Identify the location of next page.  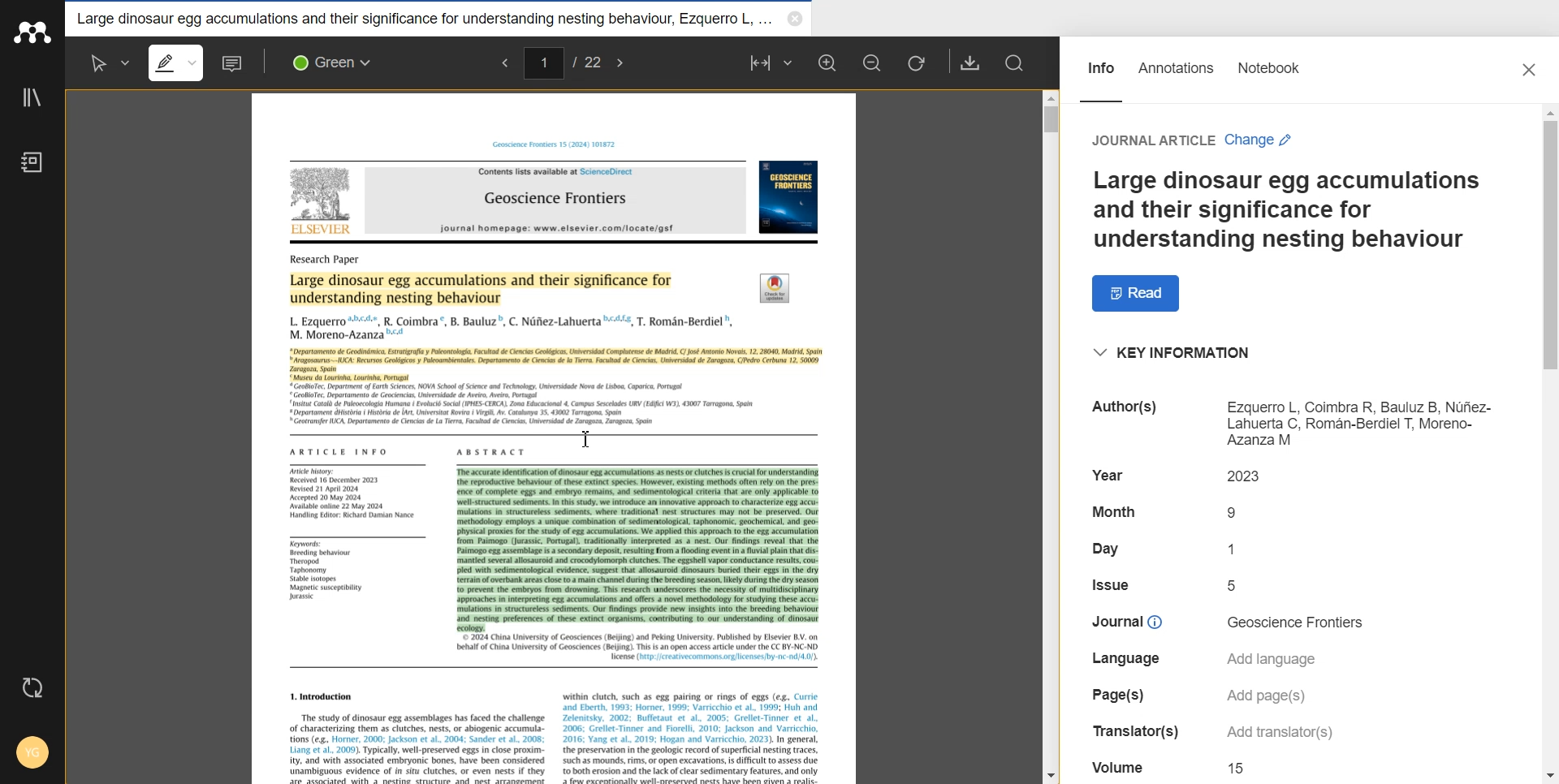
(622, 62).